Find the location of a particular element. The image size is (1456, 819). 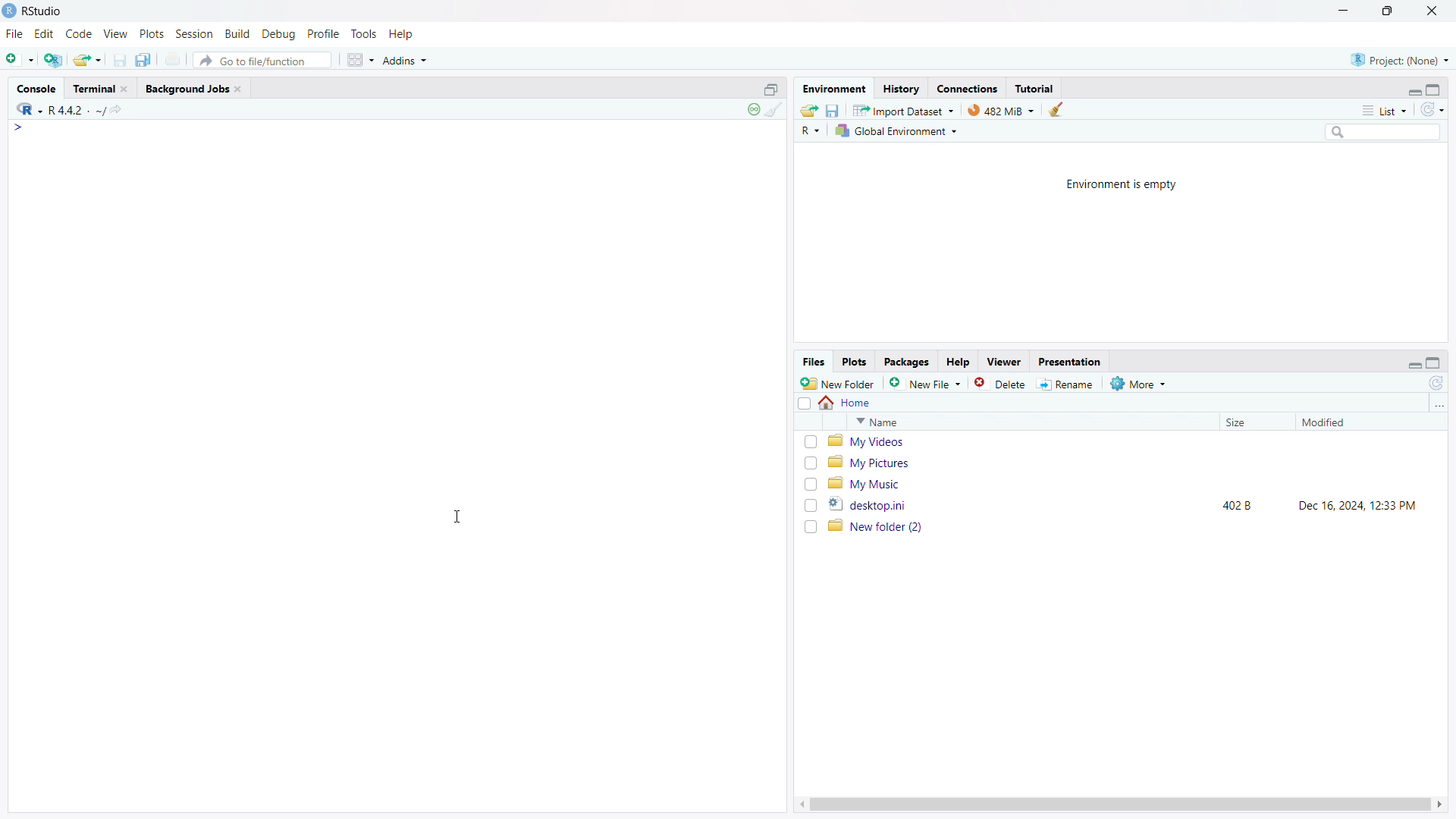

show status is located at coordinates (753, 109).